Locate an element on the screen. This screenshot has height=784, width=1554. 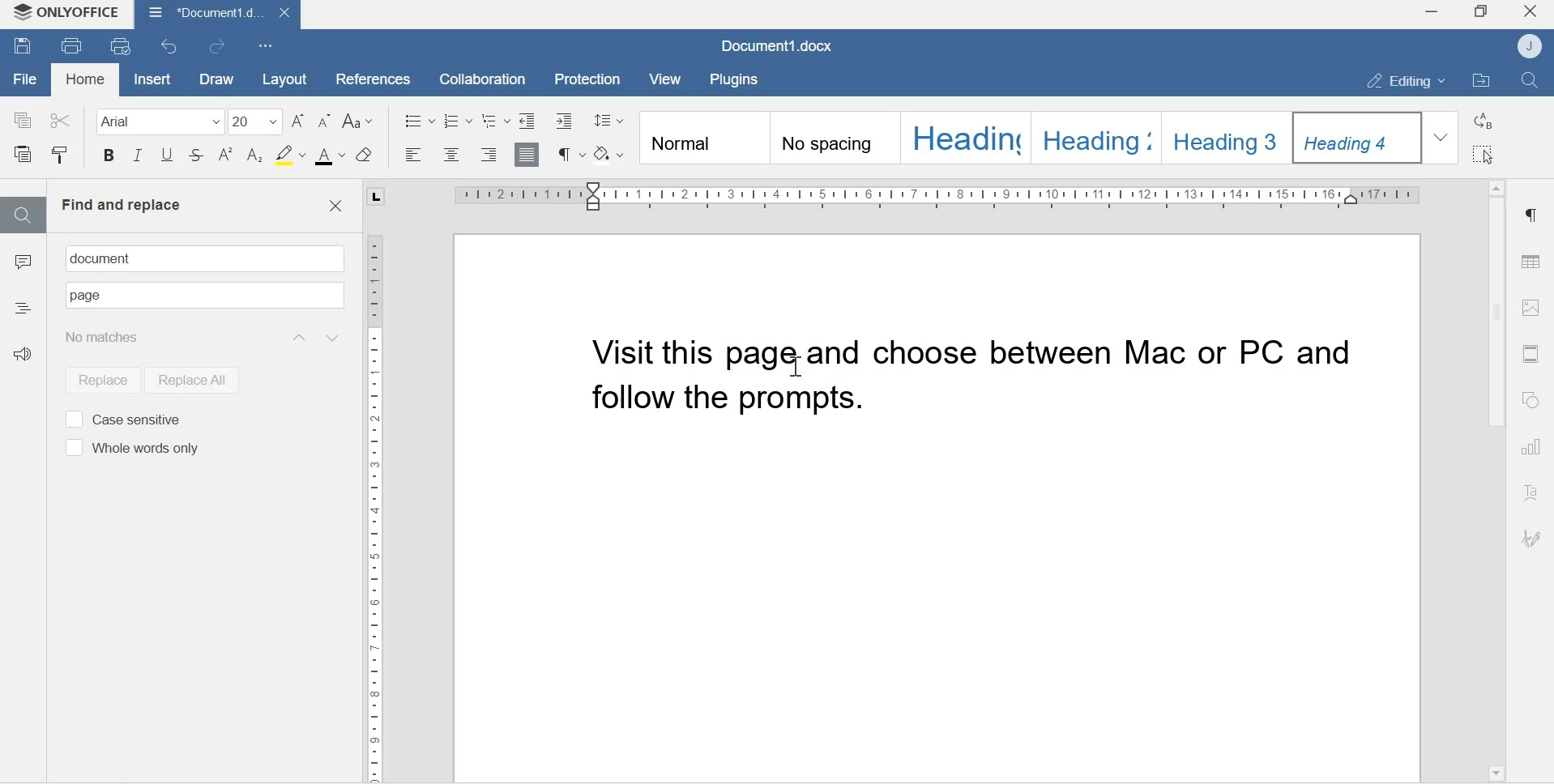
Shapes is located at coordinates (1534, 401).